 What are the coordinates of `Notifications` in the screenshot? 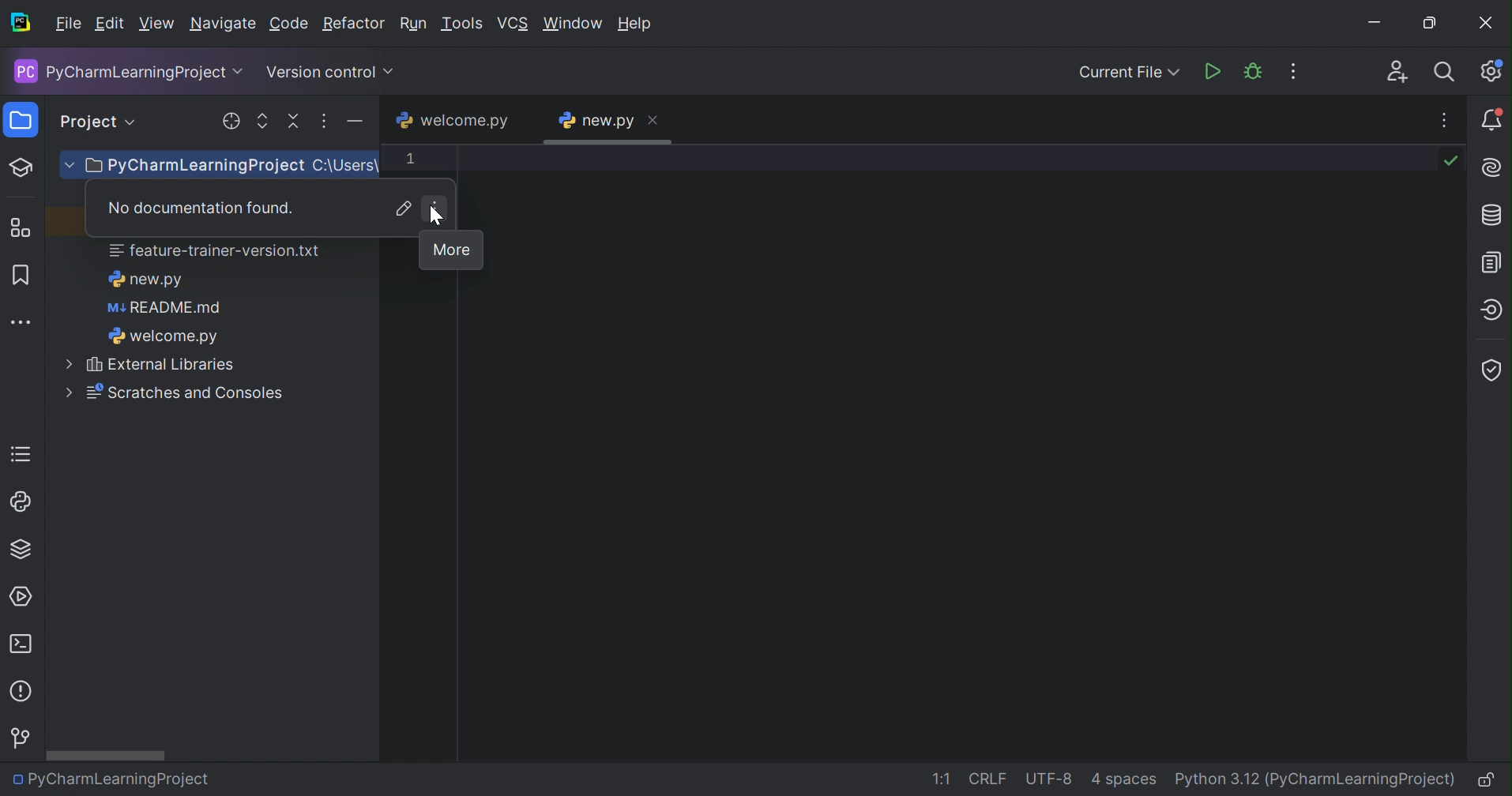 It's located at (1491, 119).